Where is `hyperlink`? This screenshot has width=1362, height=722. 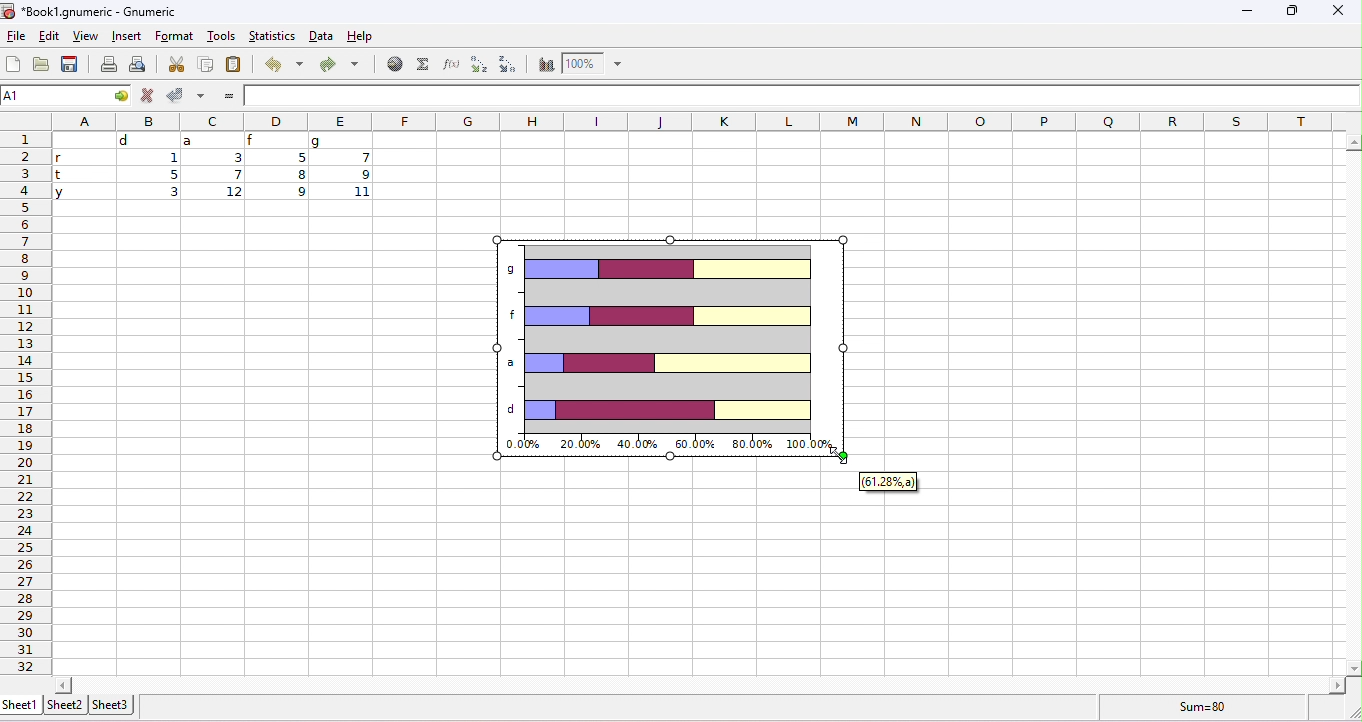
hyperlink is located at coordinates (392, 63).